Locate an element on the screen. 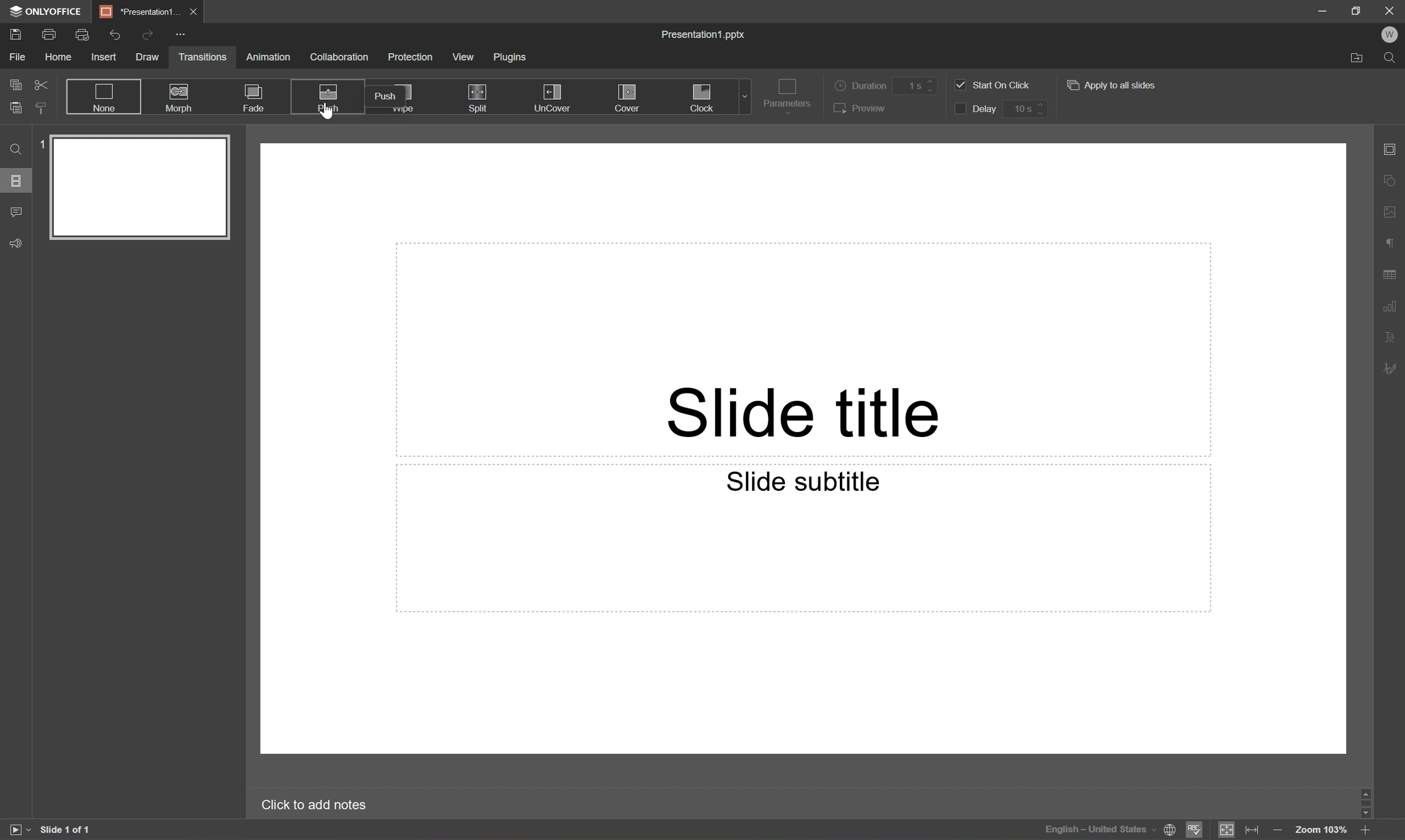  Table settings is located at coordinates (1392, 273).